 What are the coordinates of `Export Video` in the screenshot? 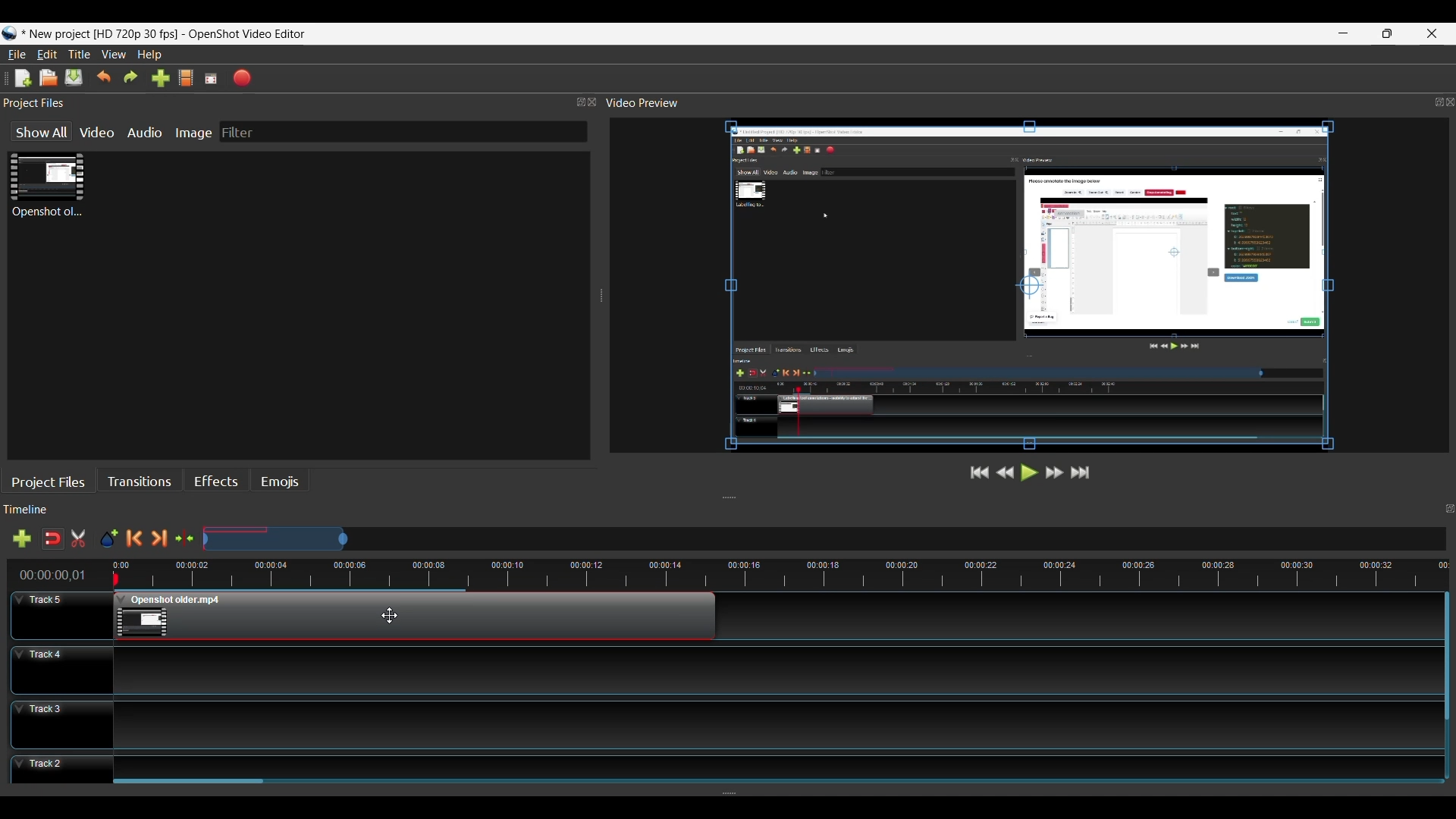 It's located at (243, 78).